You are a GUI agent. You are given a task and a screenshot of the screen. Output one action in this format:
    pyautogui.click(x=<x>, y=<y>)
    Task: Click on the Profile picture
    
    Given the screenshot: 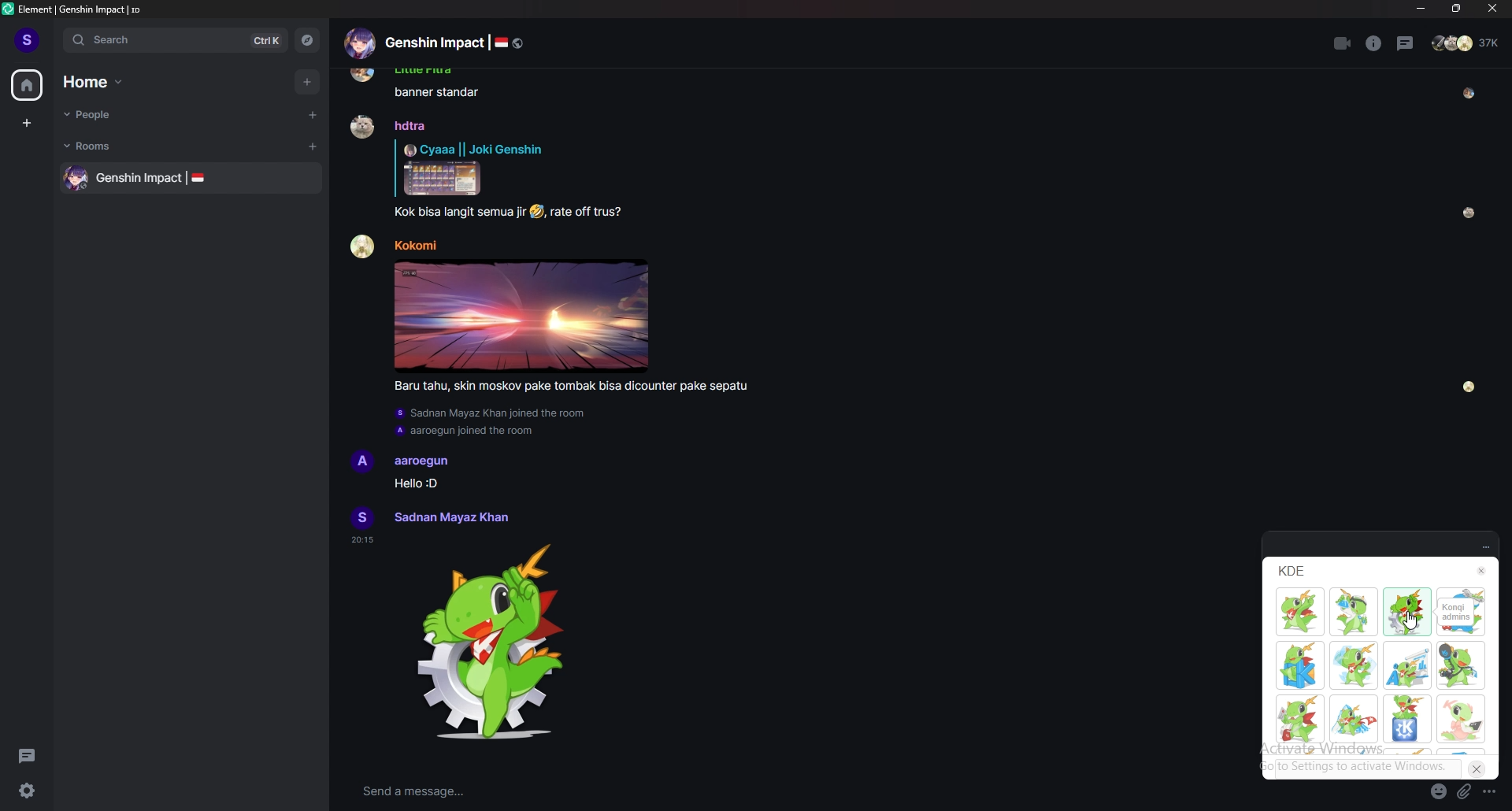 What is the action you would take?
    pyautogui.click(x=362, y=517)
    